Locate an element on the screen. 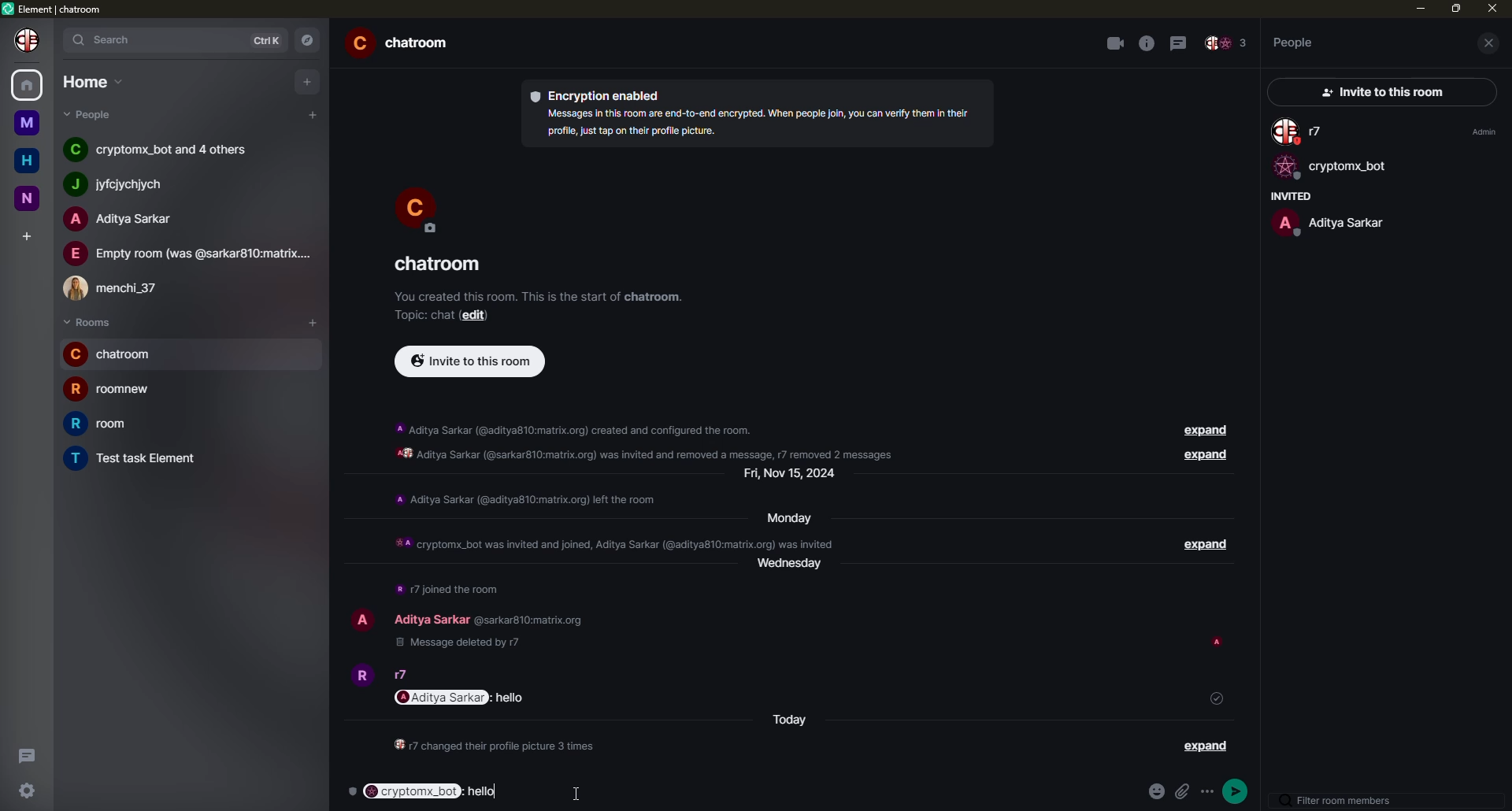 The image size is (1512, 811). video is located at coordinates (1114, 43).